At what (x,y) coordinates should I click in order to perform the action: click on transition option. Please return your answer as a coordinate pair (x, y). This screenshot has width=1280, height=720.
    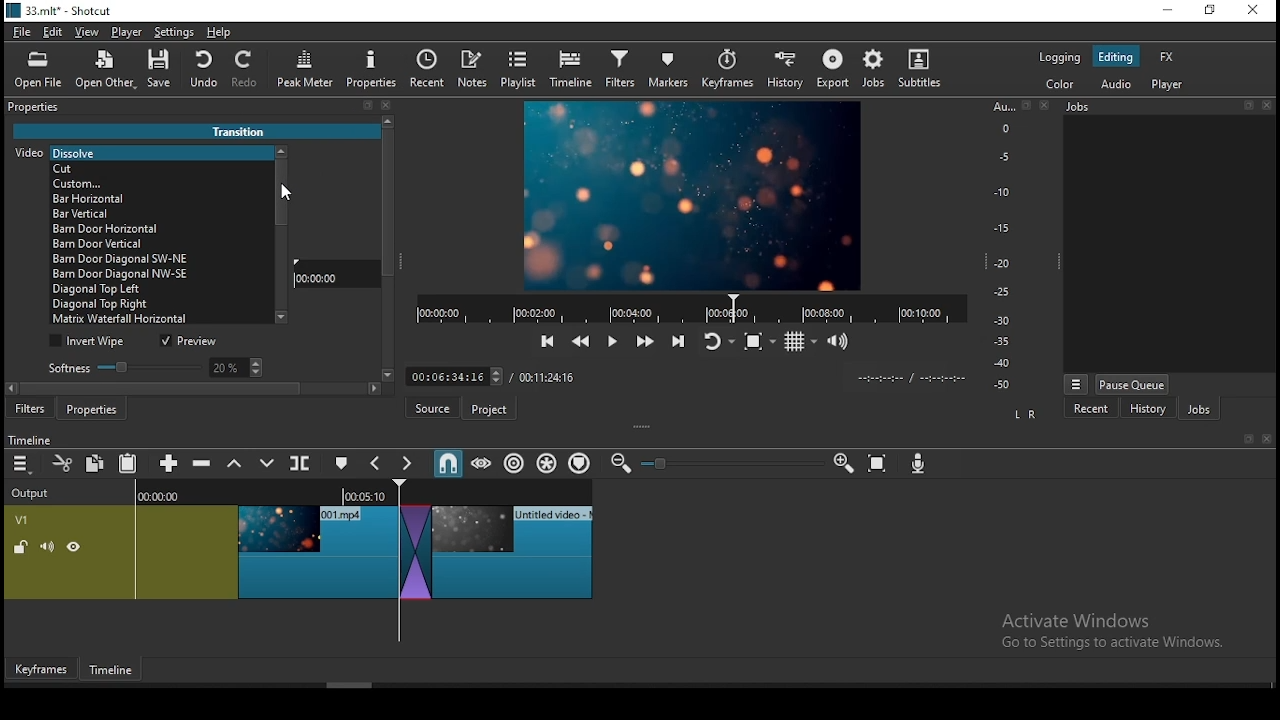
    Looking at the image, I should click on (163, 320).